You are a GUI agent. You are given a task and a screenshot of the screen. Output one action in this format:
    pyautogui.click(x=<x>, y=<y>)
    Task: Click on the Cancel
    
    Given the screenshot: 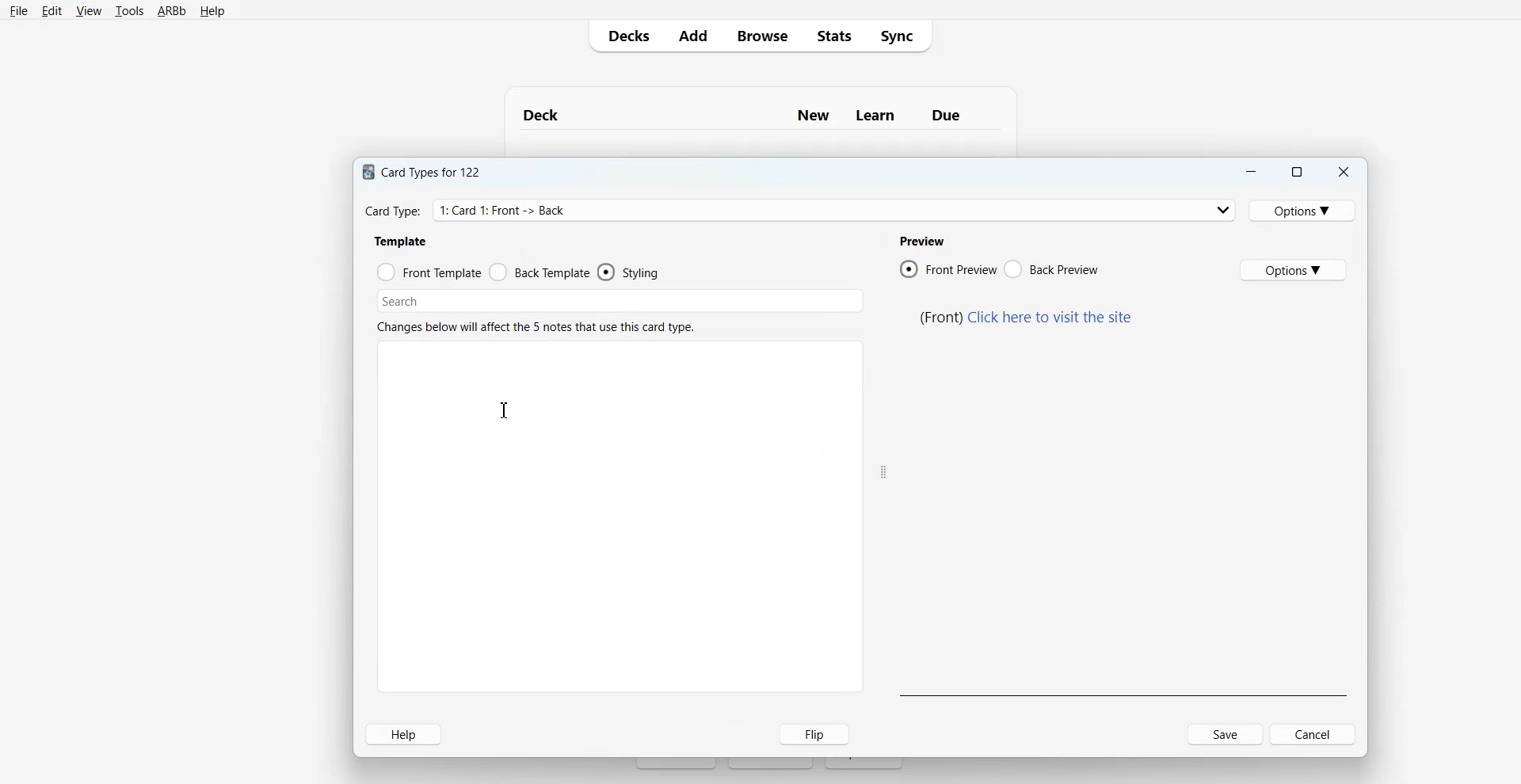 What is the action you would take?
    pyautogui.click(x=1284, y=734)
    